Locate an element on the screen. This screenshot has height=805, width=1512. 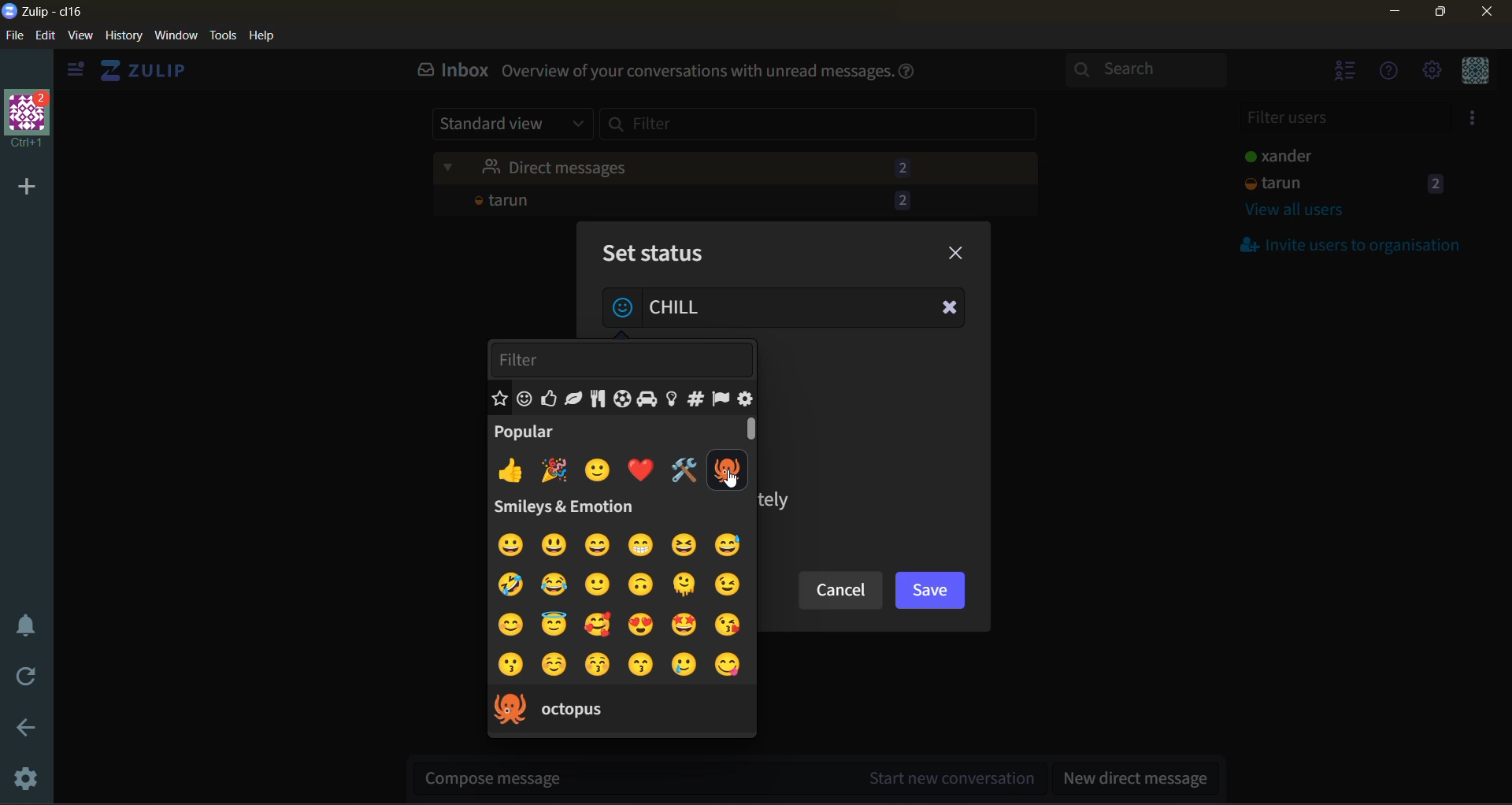
app name and organisation name is located at coordinates (46, 12).